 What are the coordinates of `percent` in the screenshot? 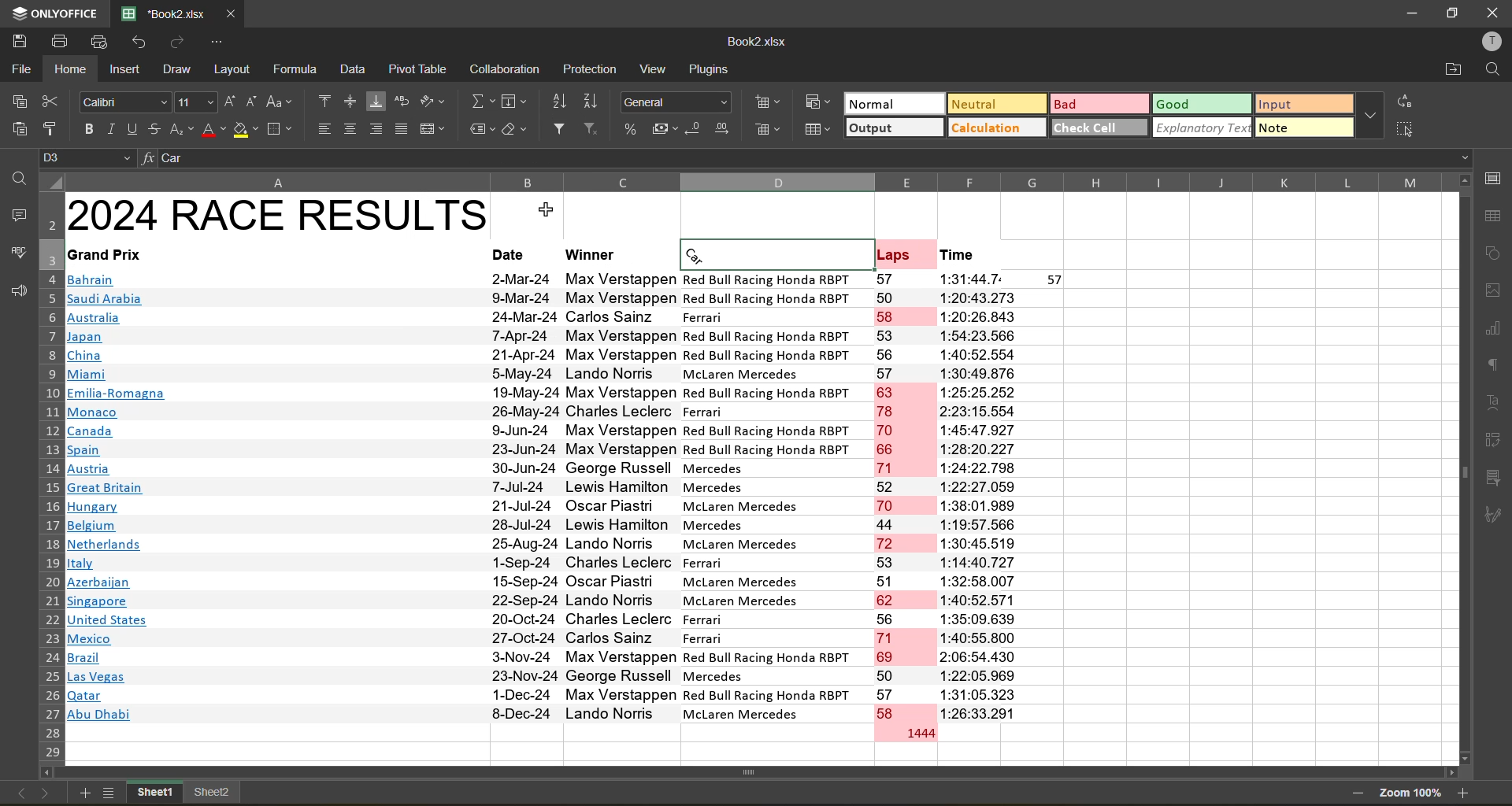 It's located at (632, 130).